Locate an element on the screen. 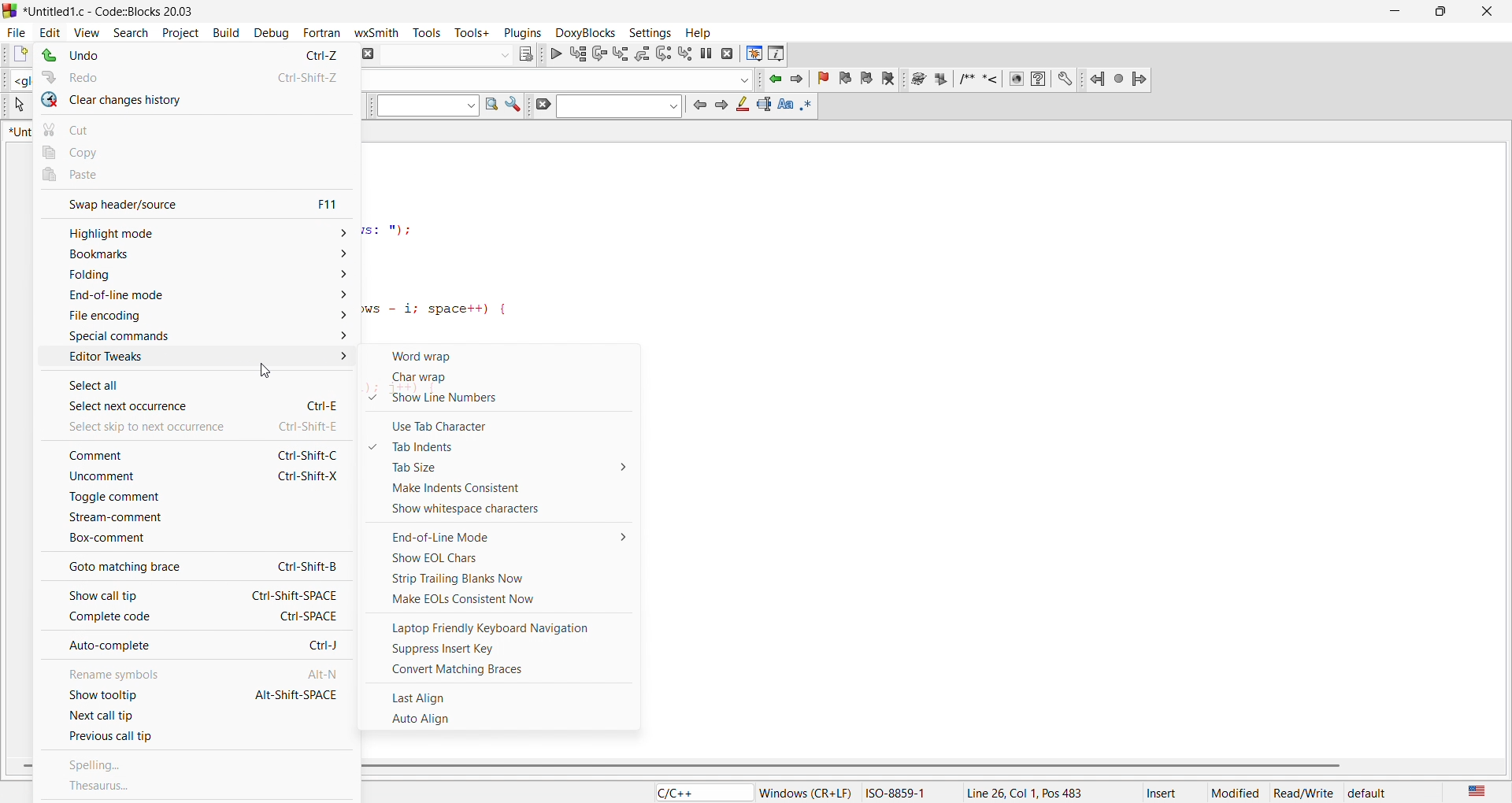 Image resolution: width=1512 pixels, height=803 pixels. insert is located at coordinates (1167, 791).